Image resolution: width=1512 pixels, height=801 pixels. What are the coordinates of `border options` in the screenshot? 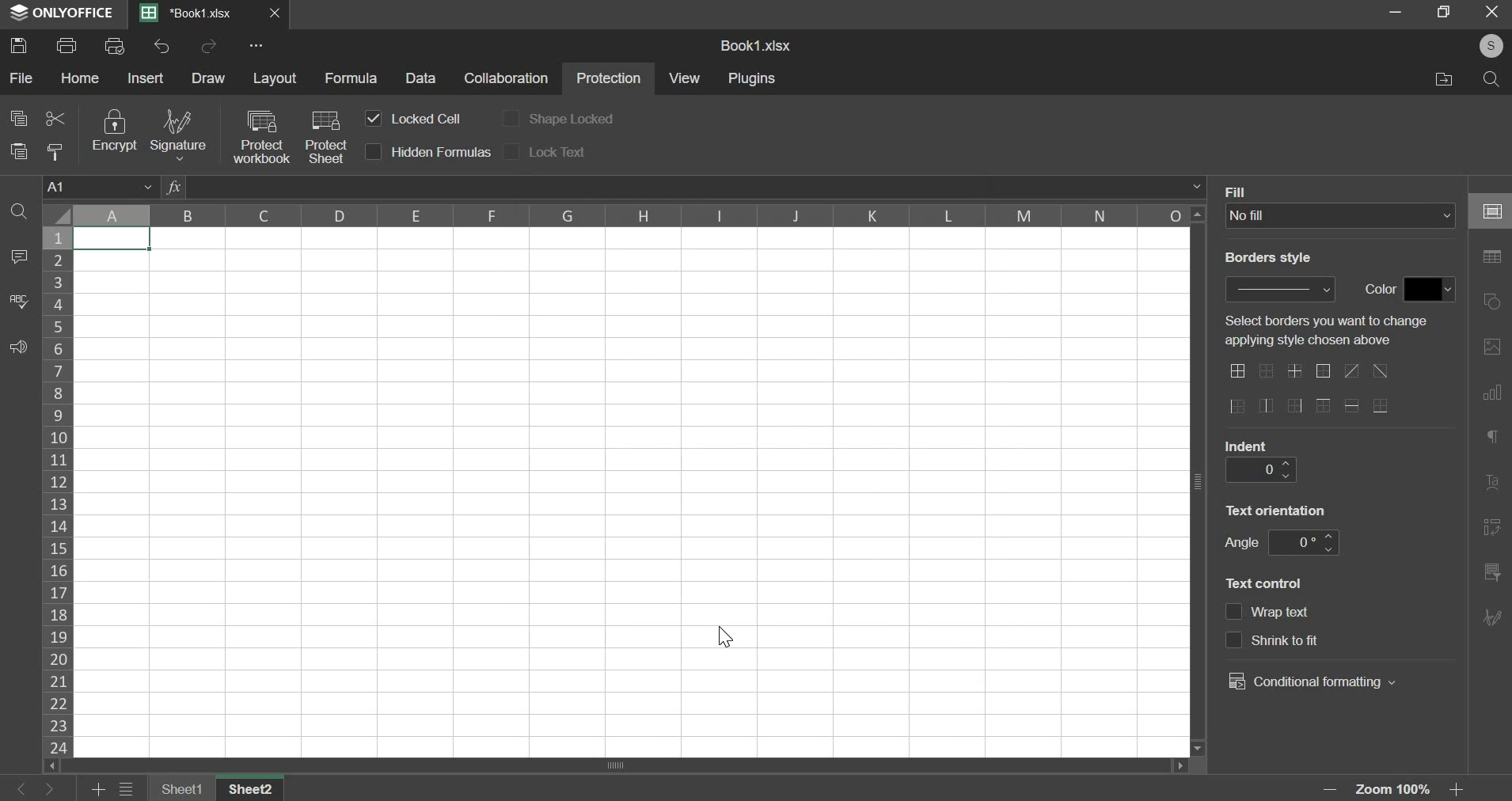 It's located at (1266, 406).